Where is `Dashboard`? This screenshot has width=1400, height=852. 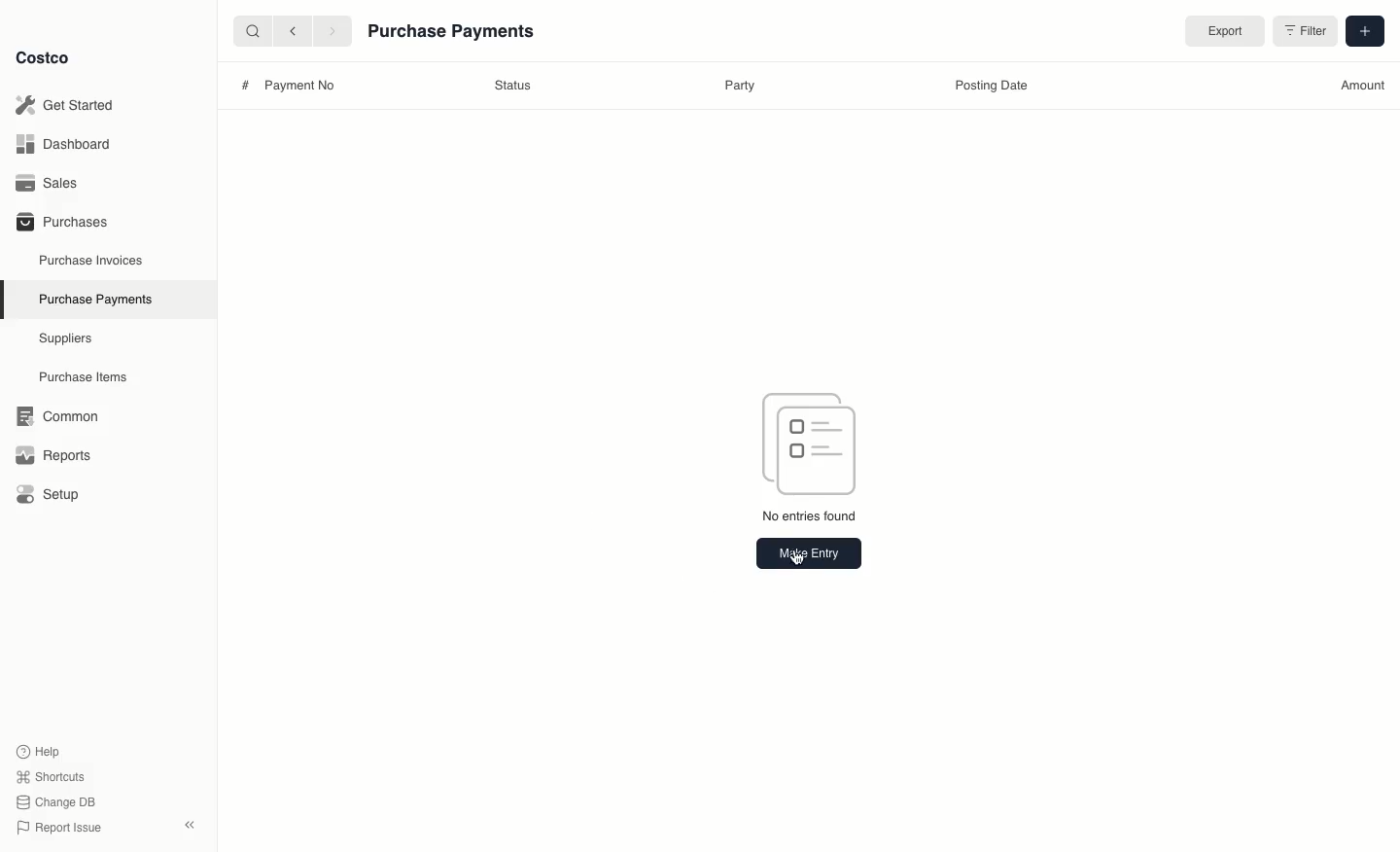 Dashboard is located at coordinates (69, 143).